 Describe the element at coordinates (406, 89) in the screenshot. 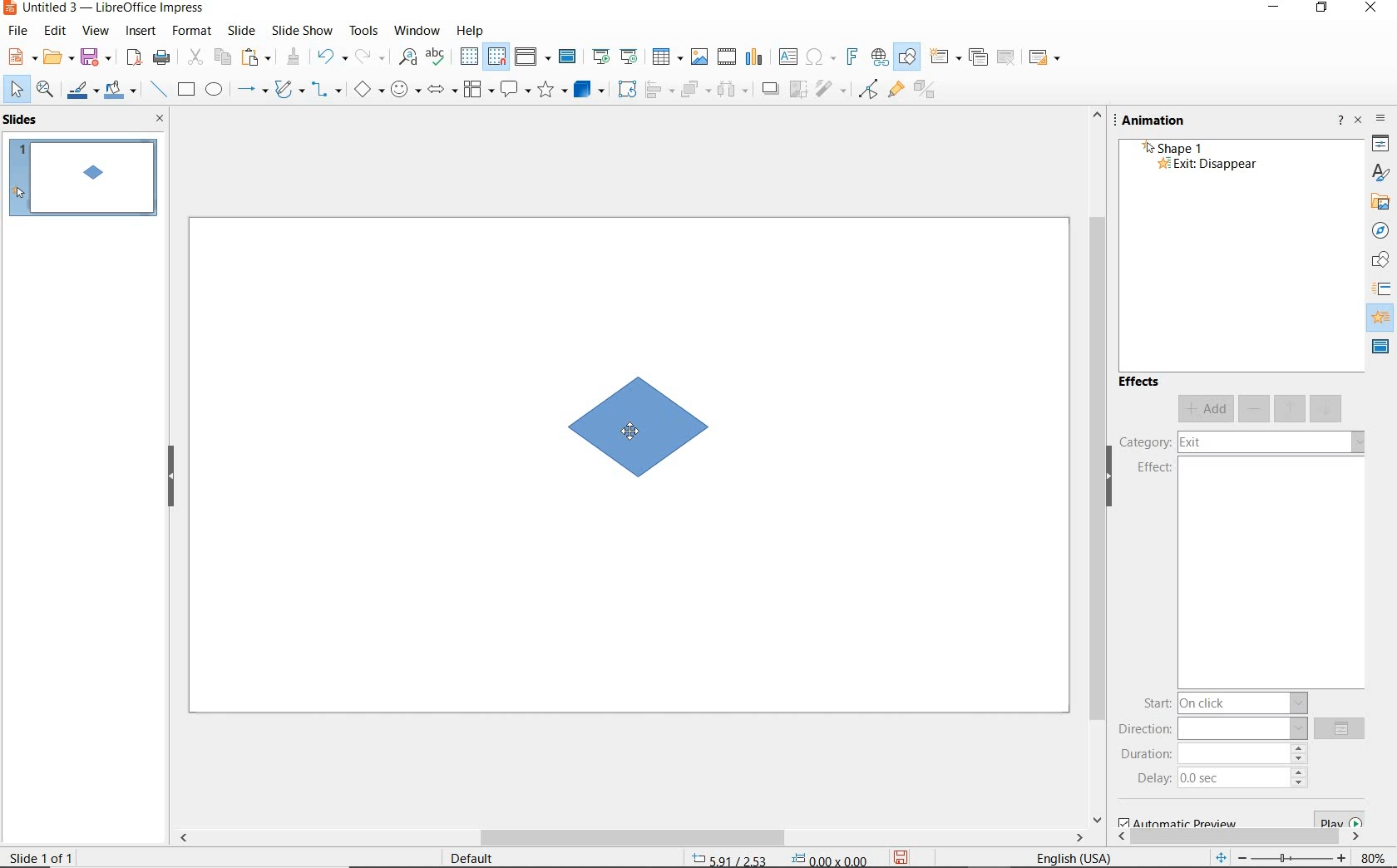

I see `symbol shapes` at that location.